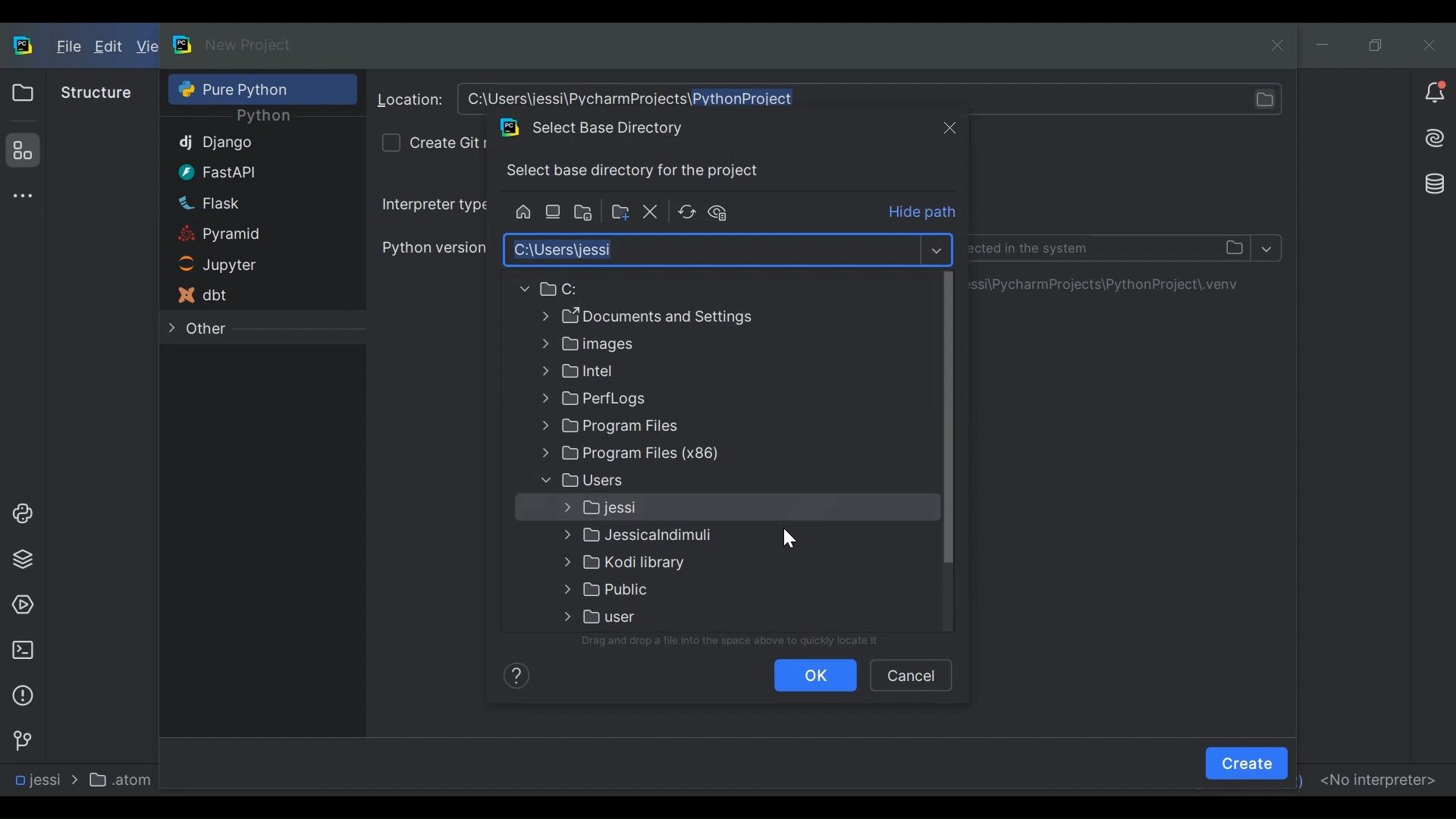 Image resolution: width=1456 pixels, height=819 pixels. Describe the element at coordinates (1435, 93) in the screenshot. I see `Notiication` at that location.